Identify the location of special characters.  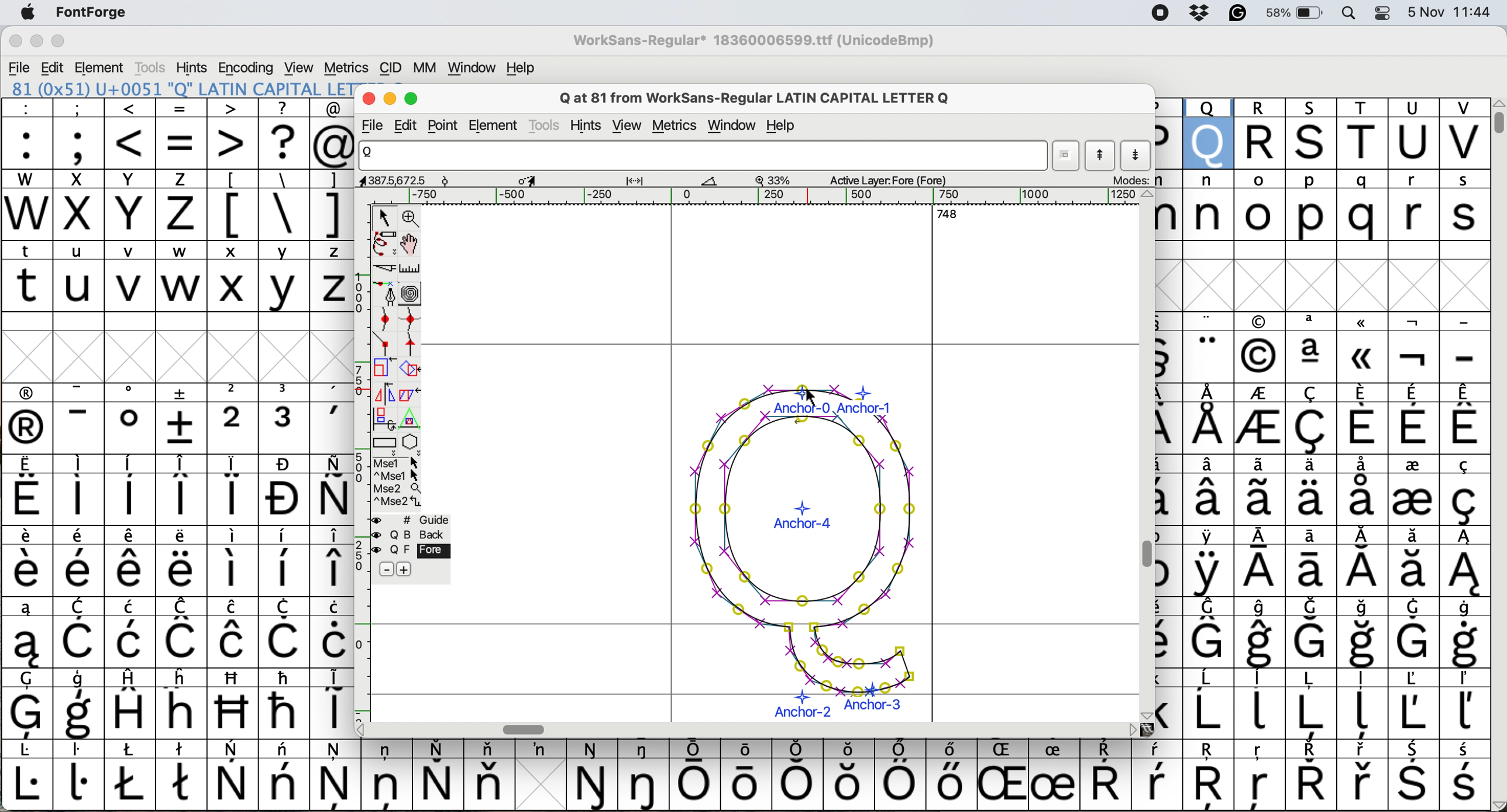
(743, 782).